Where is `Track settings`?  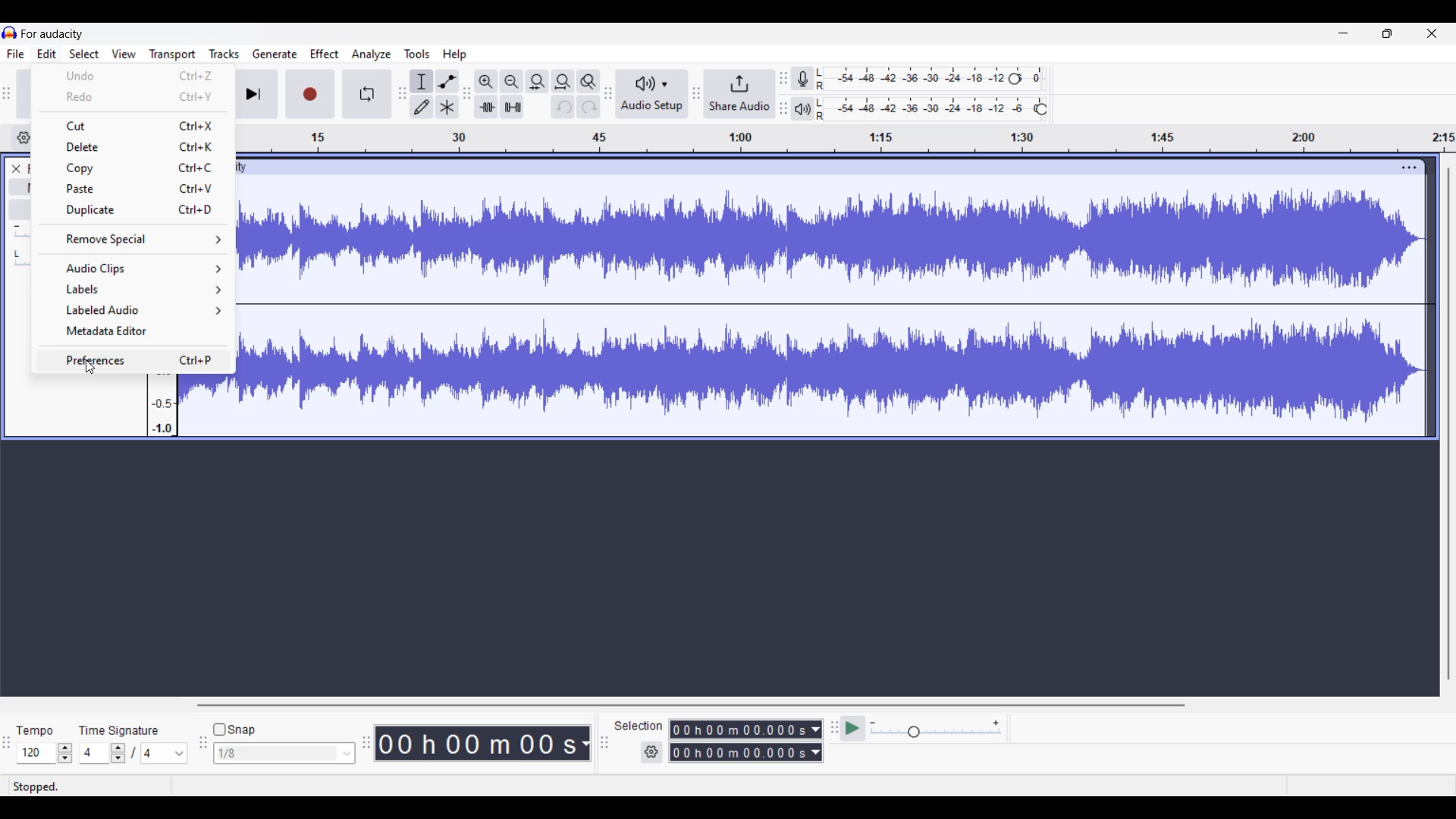
Track settings is located at coordinates (1409, 168).